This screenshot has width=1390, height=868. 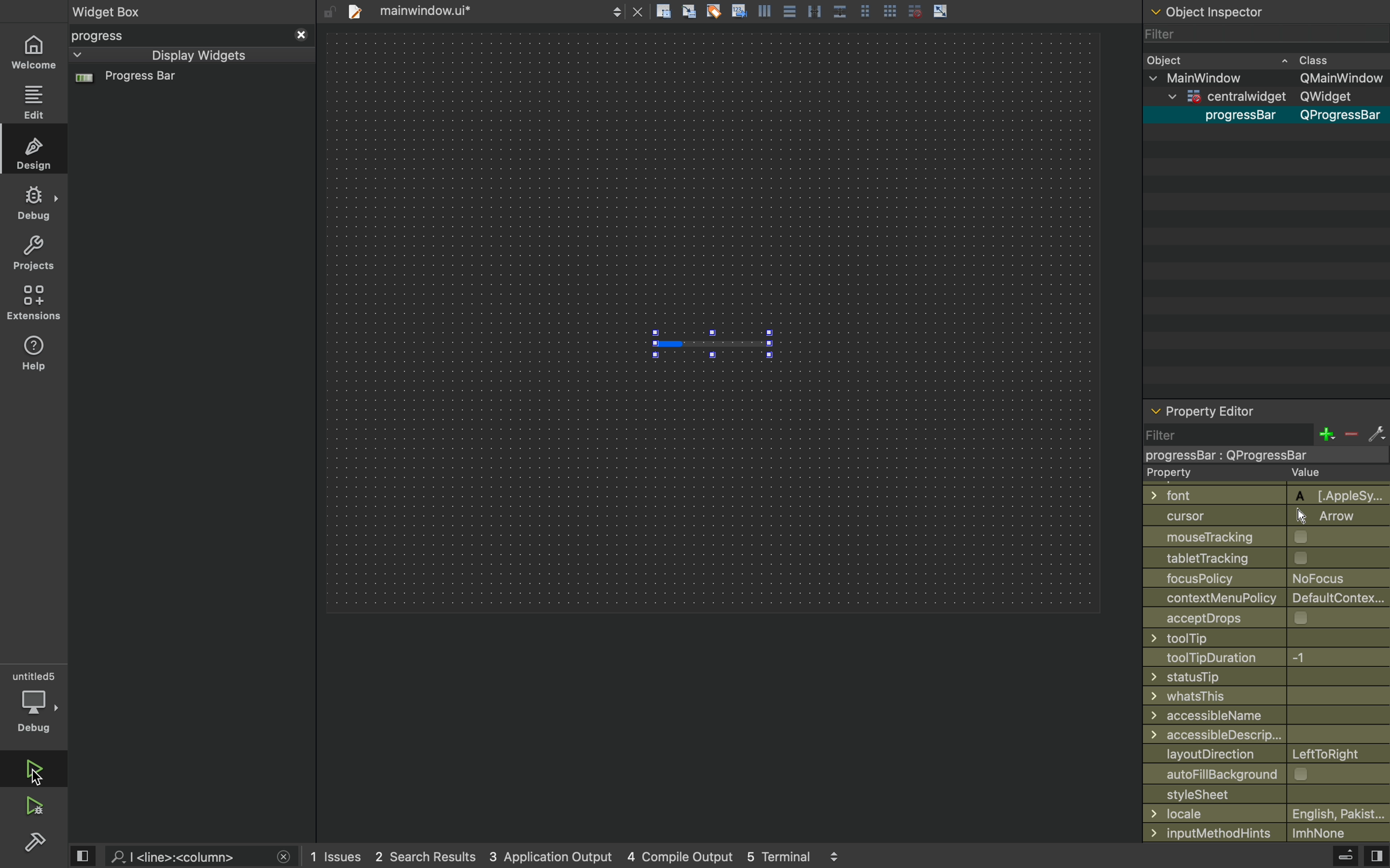 What do you see at coordinates (191, 36) in the screenshot?
I see `progress` at bounding box center [191, 36].